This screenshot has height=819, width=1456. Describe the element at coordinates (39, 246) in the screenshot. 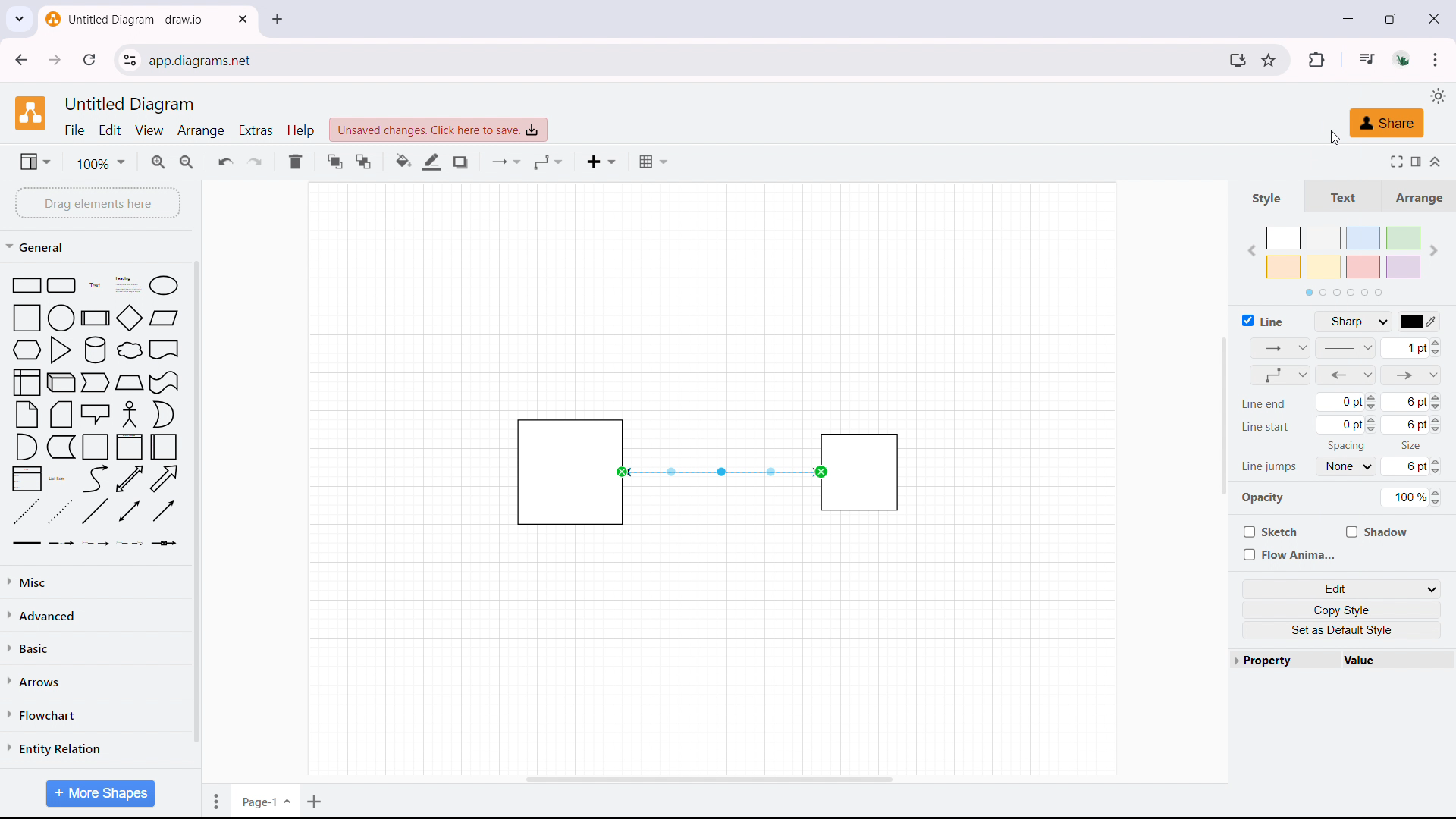

I see `general` at that location.